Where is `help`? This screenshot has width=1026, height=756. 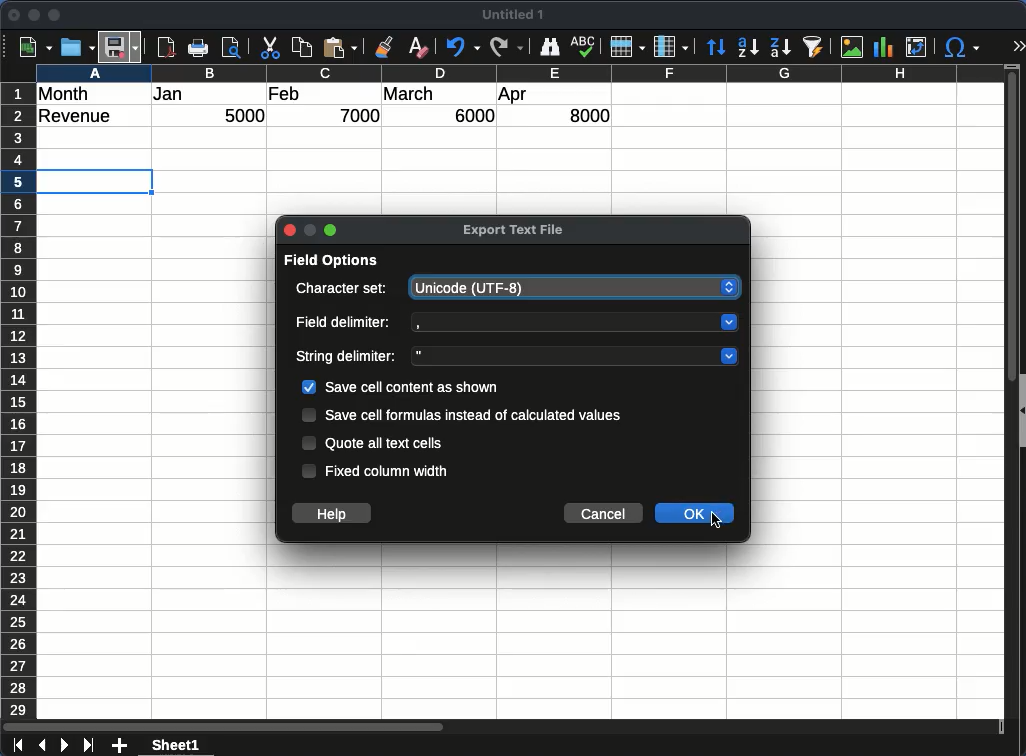 help is located at coordinates (333, 513).